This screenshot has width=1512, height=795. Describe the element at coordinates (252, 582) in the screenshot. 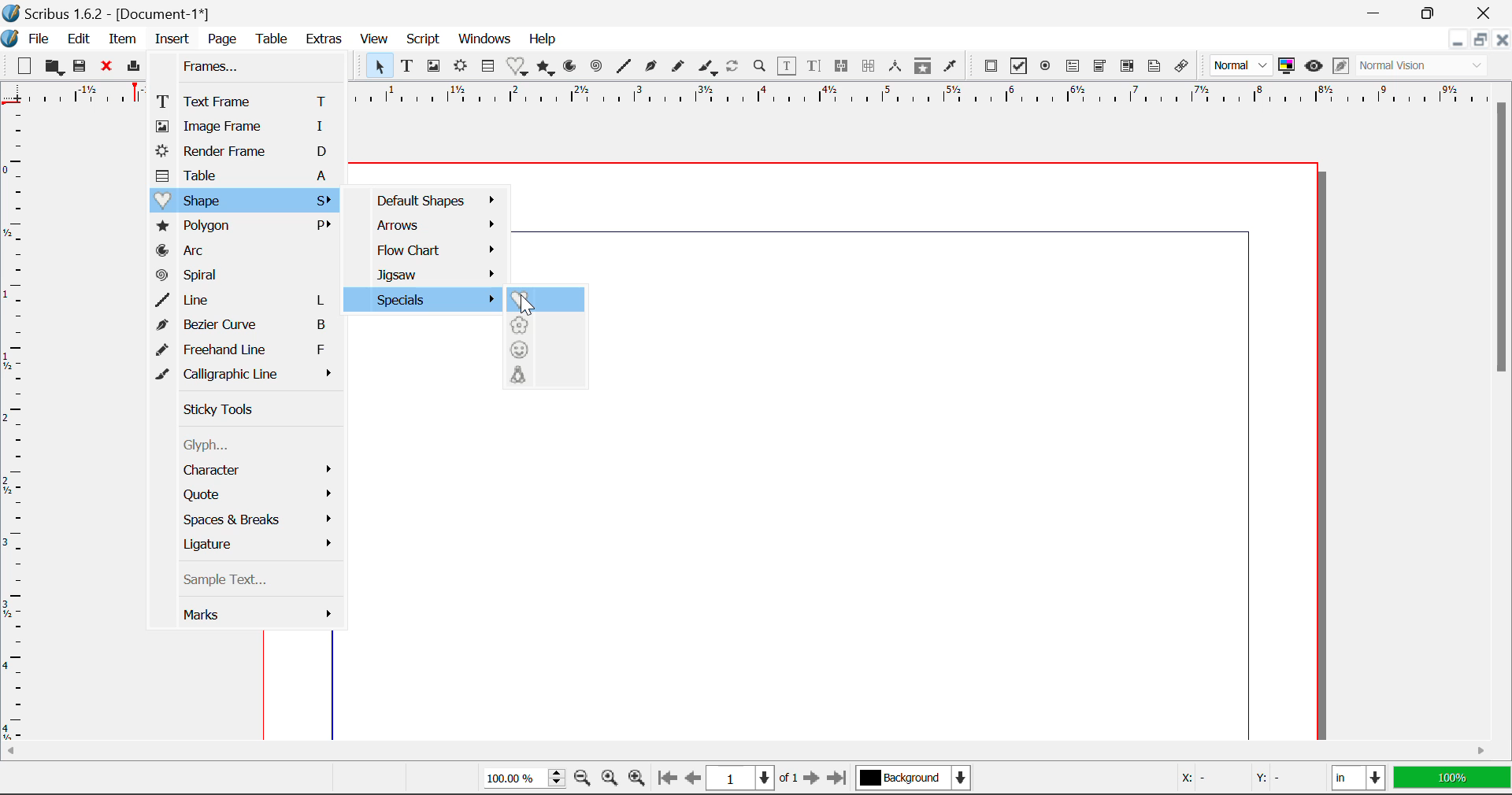

I see `Sample Text` at that location.